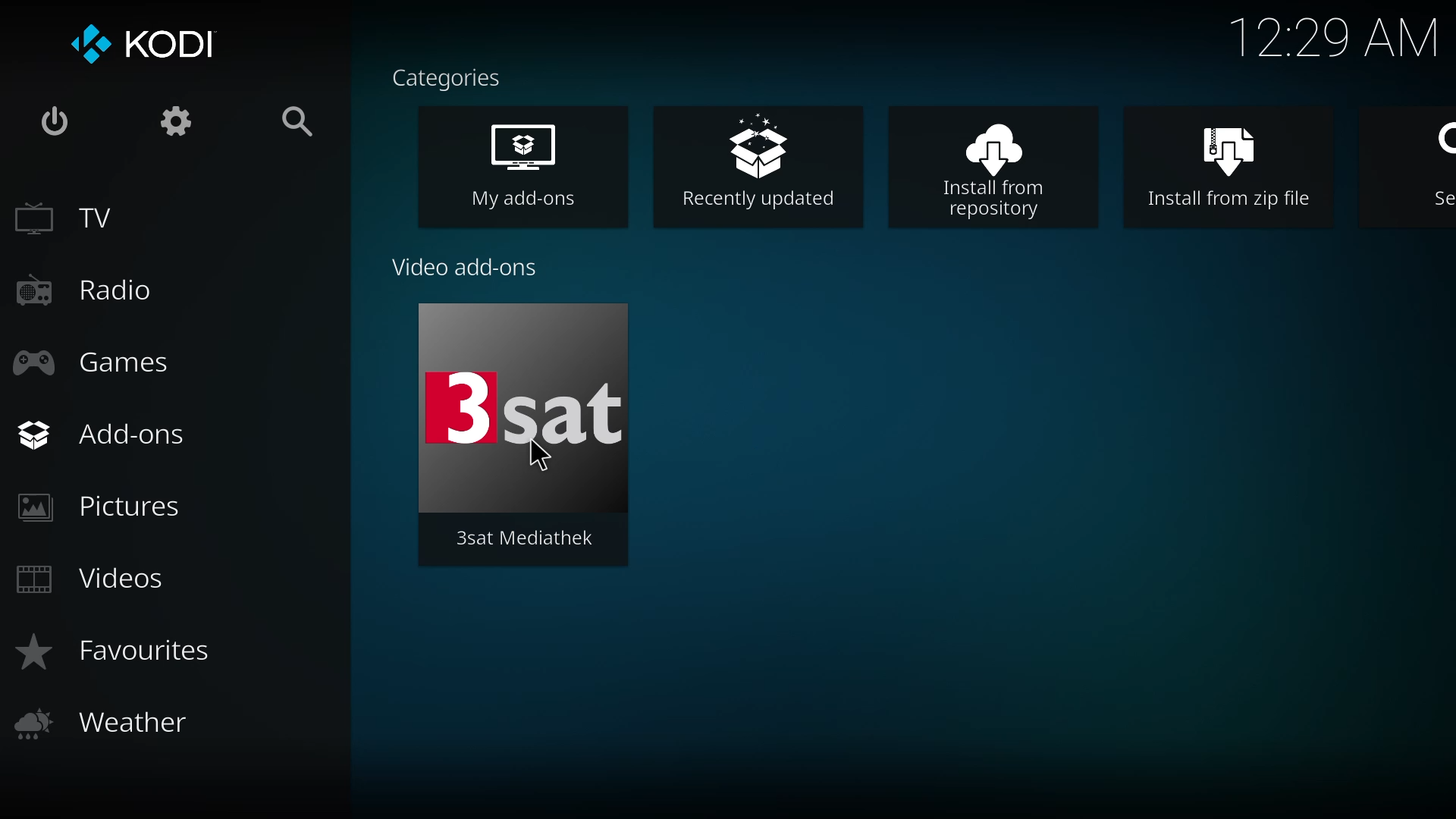  What do you see at coordinates (106, 362) in the screenshot?
I see `games` at bounding box center [106, 362].